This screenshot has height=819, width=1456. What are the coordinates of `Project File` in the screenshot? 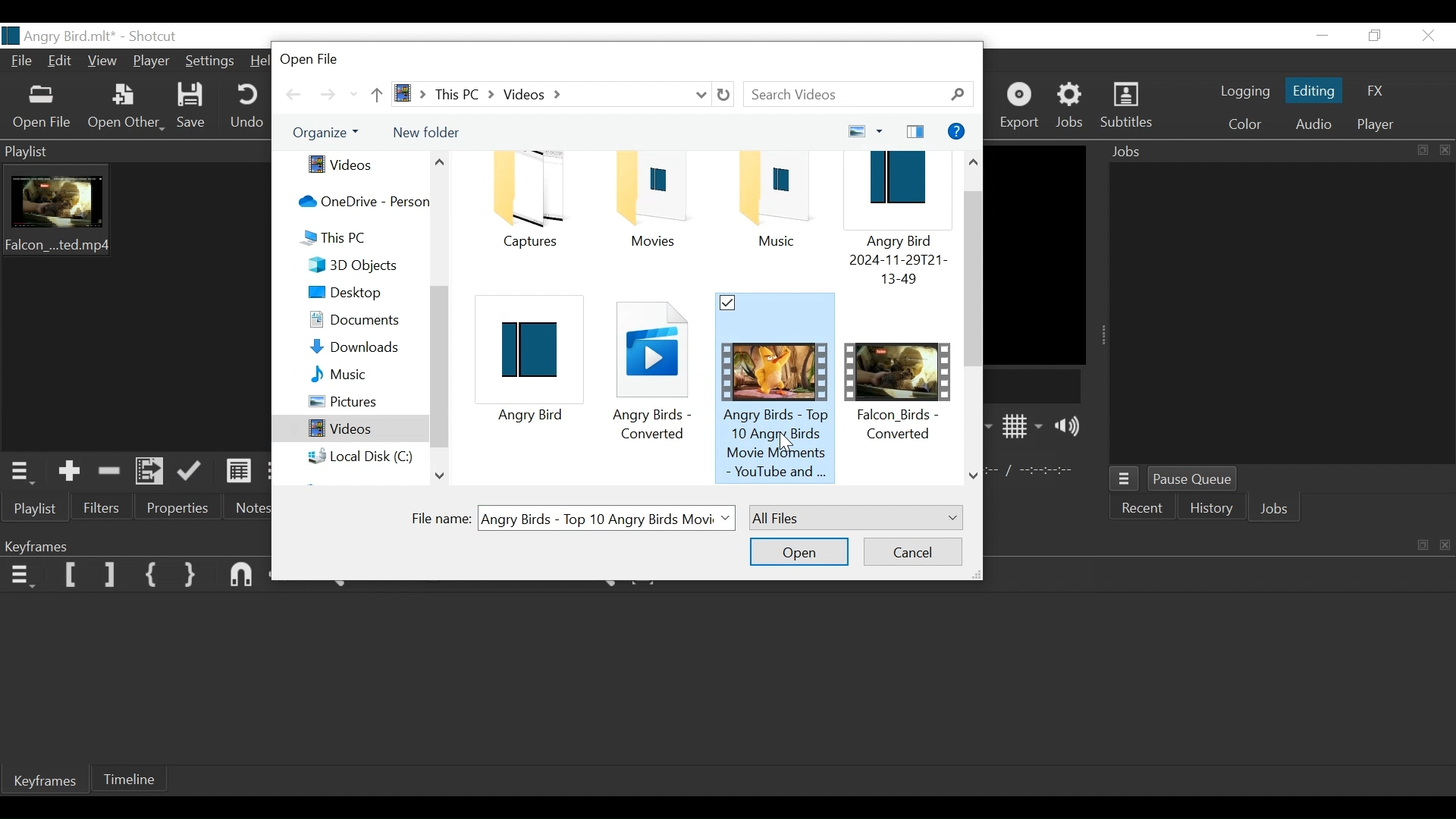 It's located at (895, 243).